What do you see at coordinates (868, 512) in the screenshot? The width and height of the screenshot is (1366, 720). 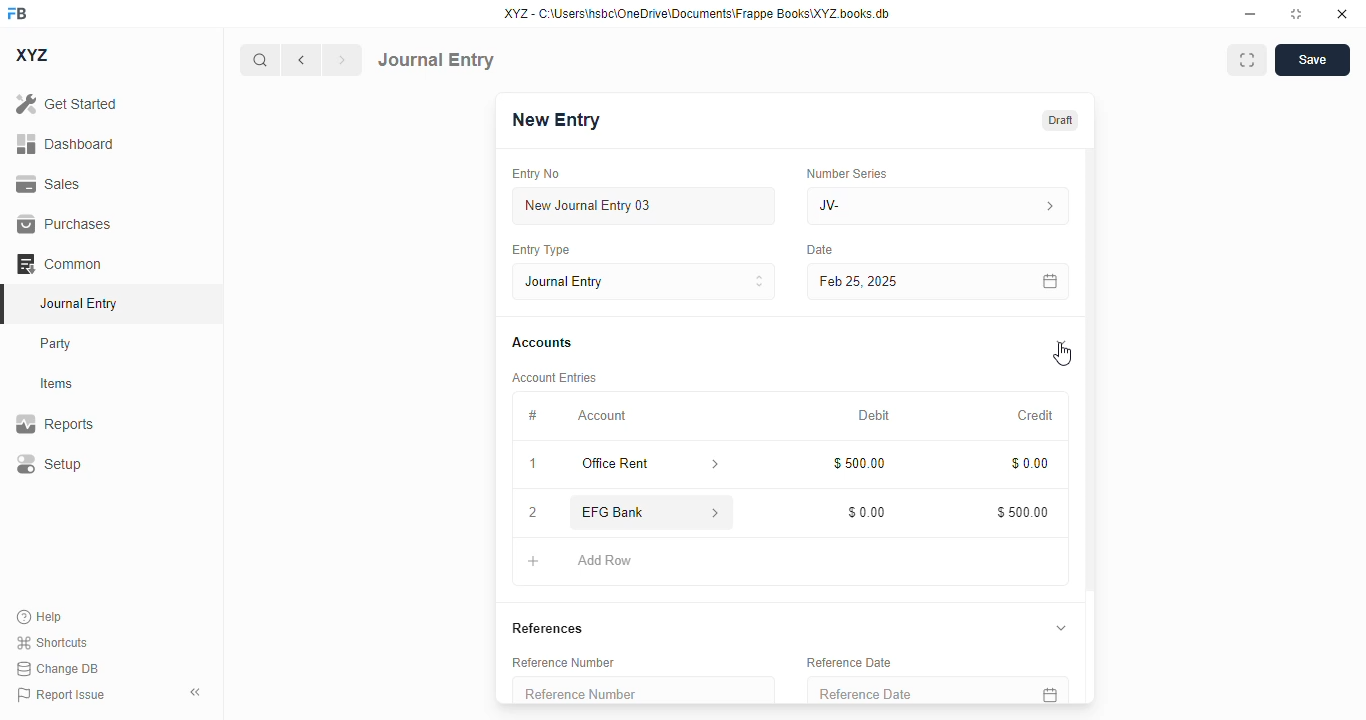 I see `$ 0.00` at bounding box center [868, 512].